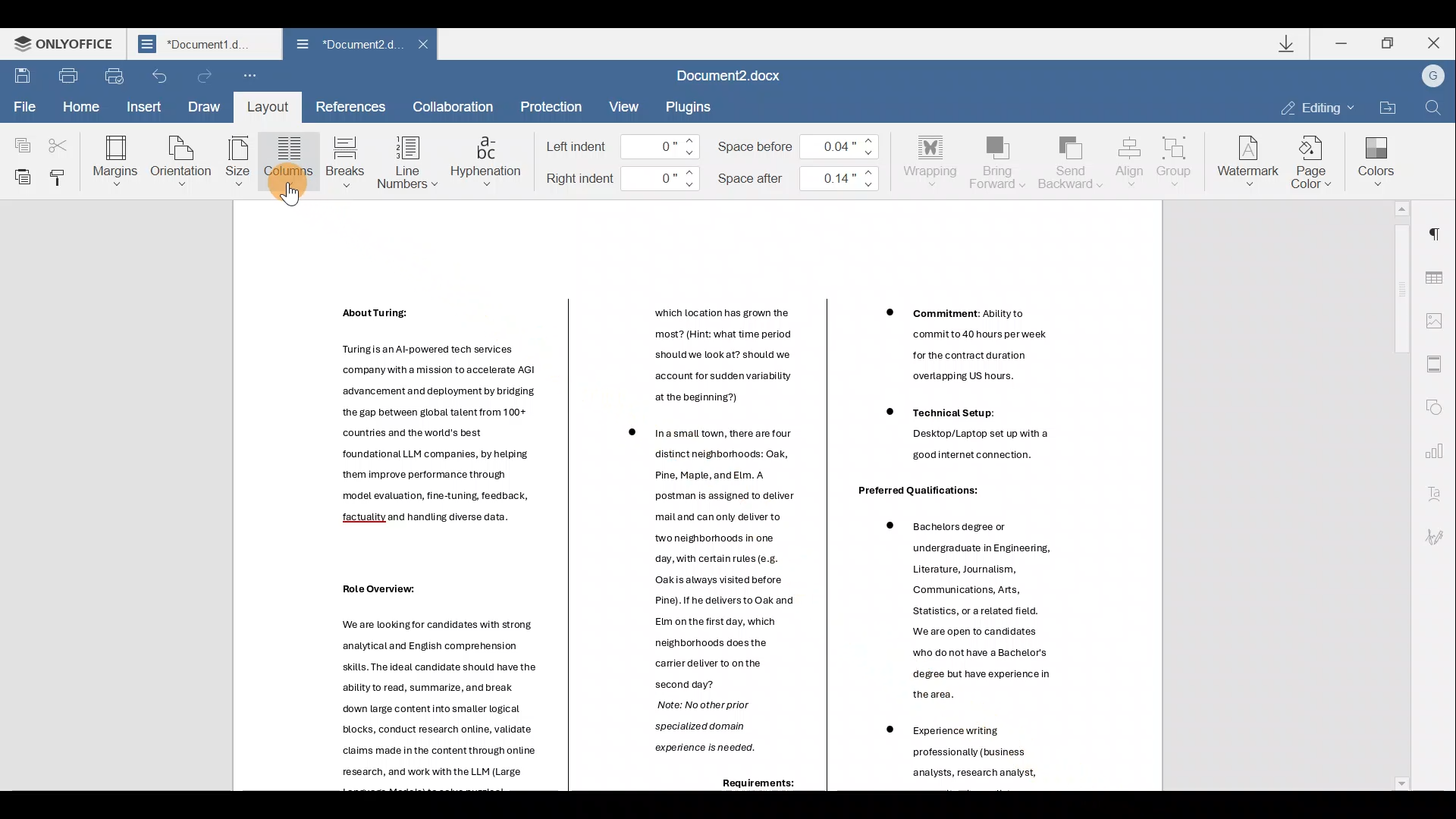  What do you see at coordinates (1068, 161) in the screenshot?
I see `Send backward` at bounding box center [1068, 161].